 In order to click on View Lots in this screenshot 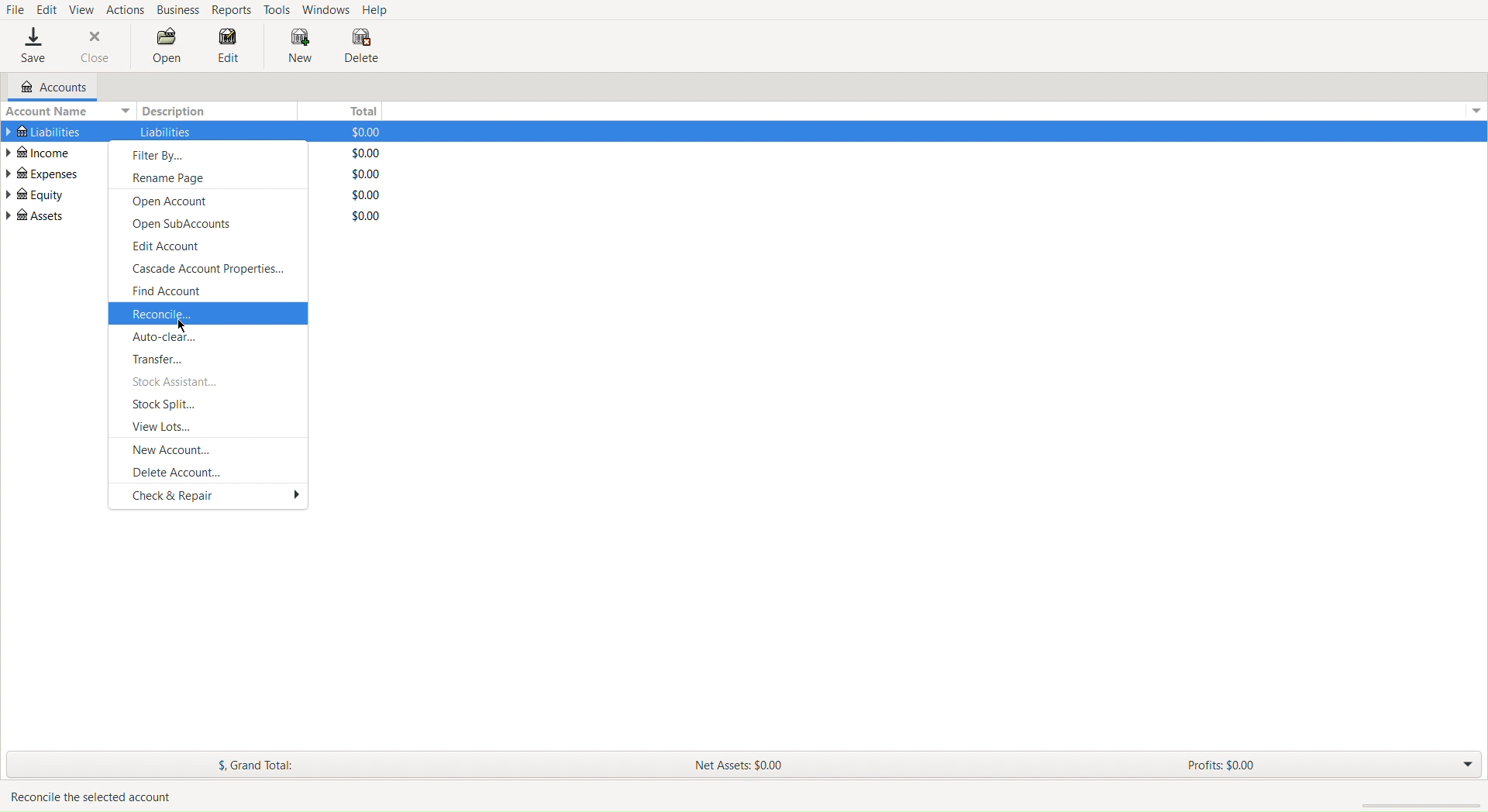, I will do `click(211, 429)`.